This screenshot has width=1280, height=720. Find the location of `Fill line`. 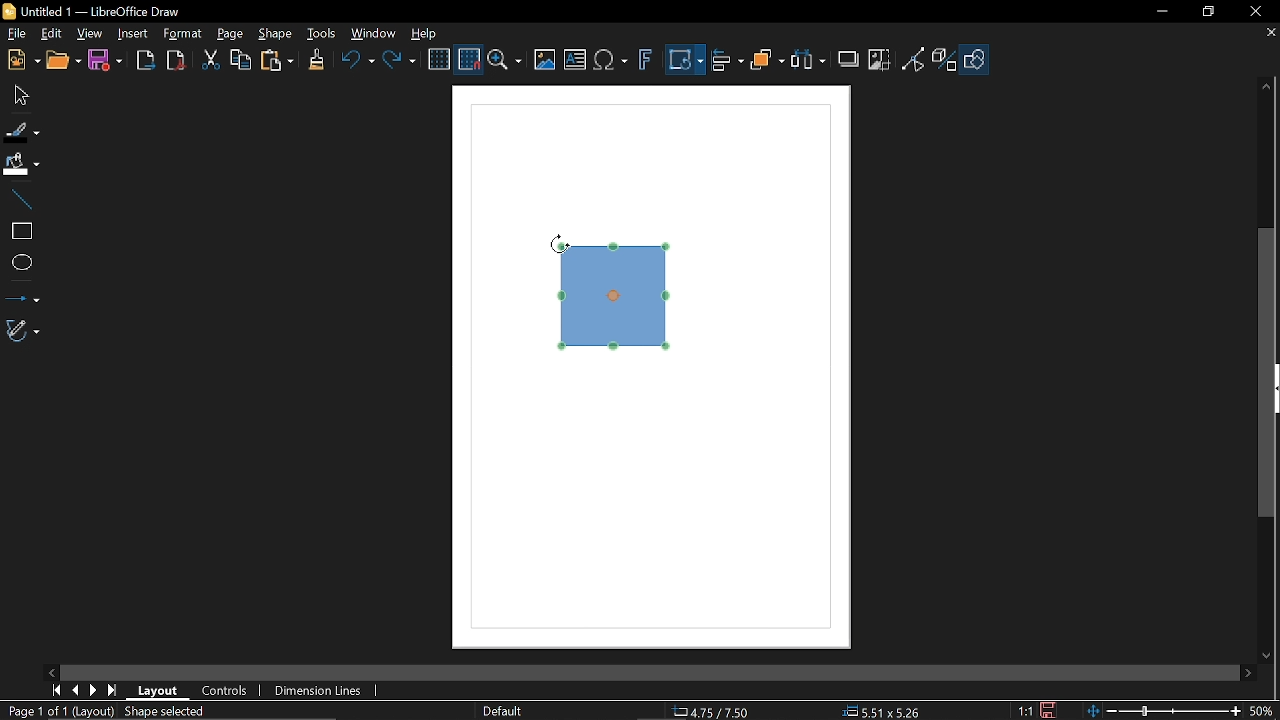

Fill line is located at coordinates (22, 129).